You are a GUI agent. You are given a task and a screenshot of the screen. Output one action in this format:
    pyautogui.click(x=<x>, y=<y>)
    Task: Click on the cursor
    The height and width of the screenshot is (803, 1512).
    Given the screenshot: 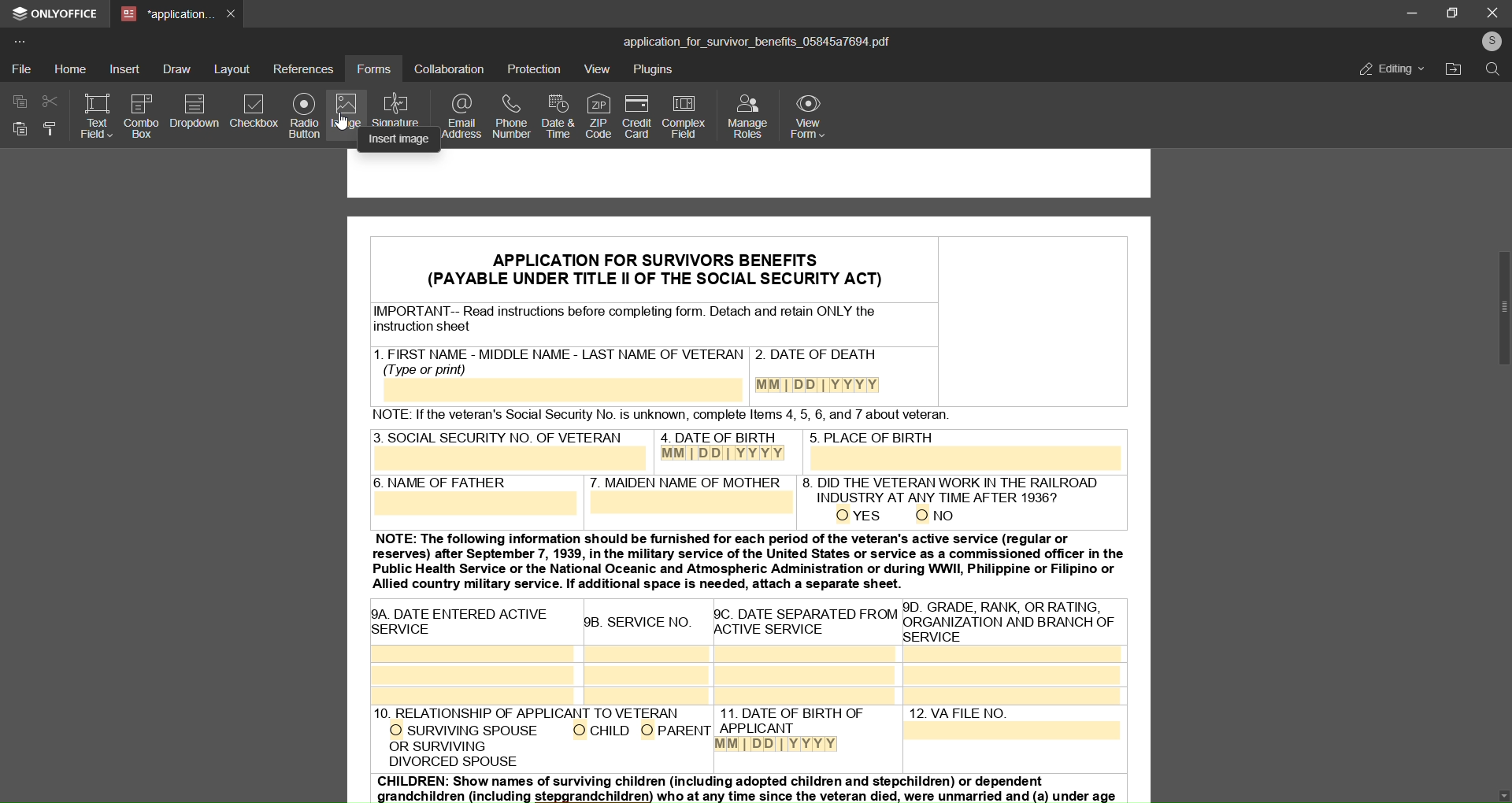 What is the action you would take?
    pyautogui.click(x=341, y=120)
    